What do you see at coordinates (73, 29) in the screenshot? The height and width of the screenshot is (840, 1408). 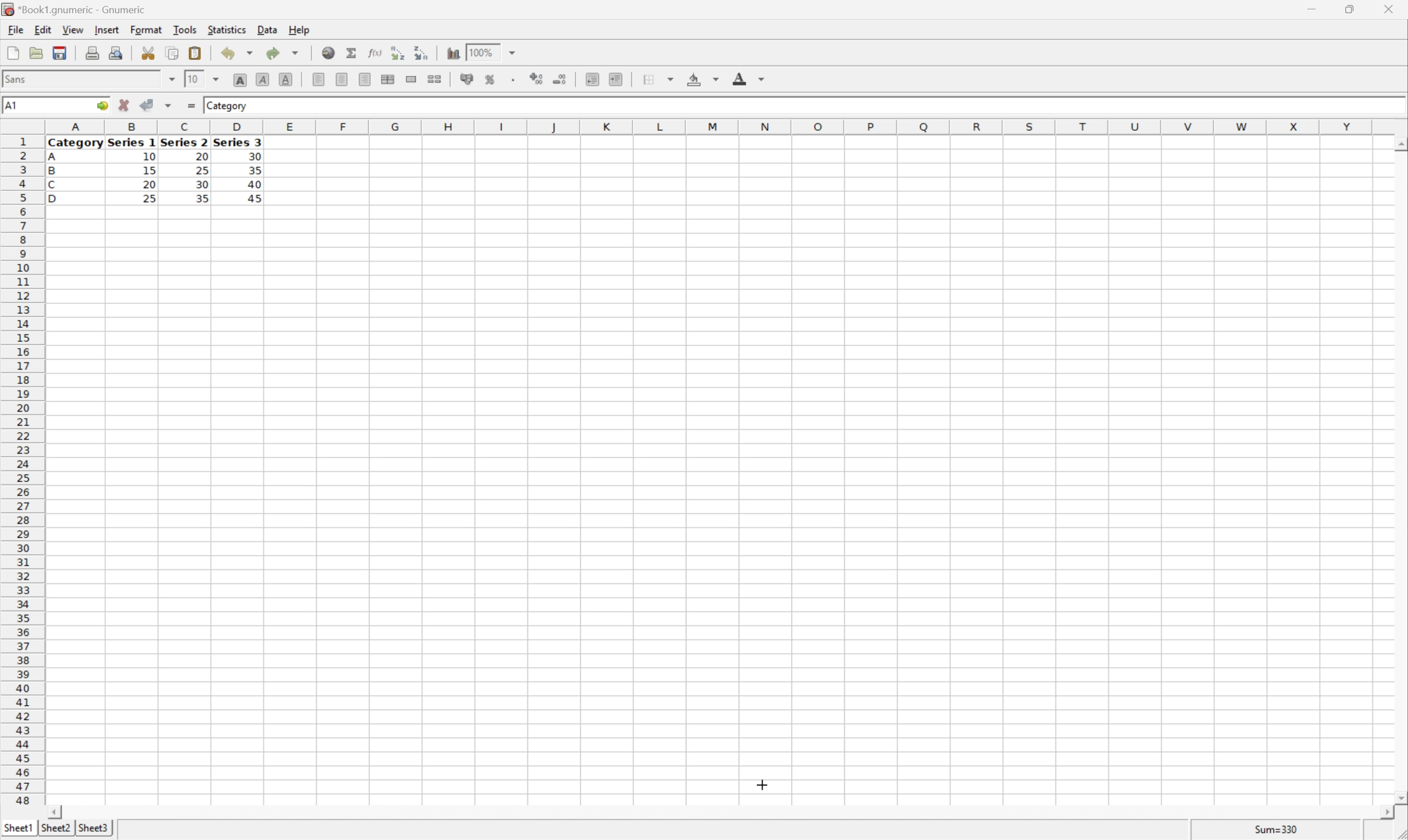 I see `View` at bounding box center [73, 29].